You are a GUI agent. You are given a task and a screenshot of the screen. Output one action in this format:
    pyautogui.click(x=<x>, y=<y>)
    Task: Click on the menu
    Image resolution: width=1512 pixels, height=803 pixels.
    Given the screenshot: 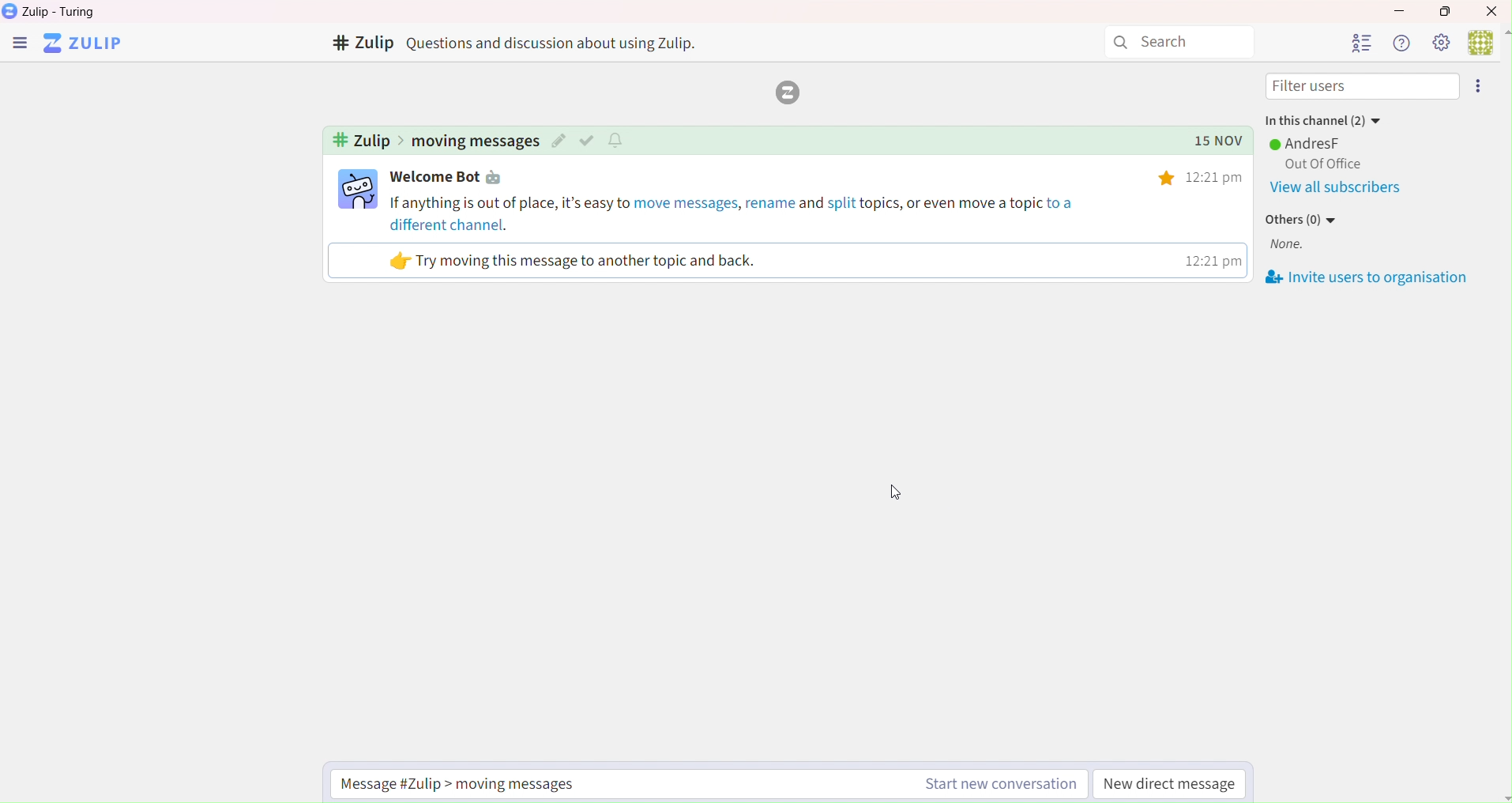 What is the action you would take?
    pyautogui.click(x=19, y=45)
    